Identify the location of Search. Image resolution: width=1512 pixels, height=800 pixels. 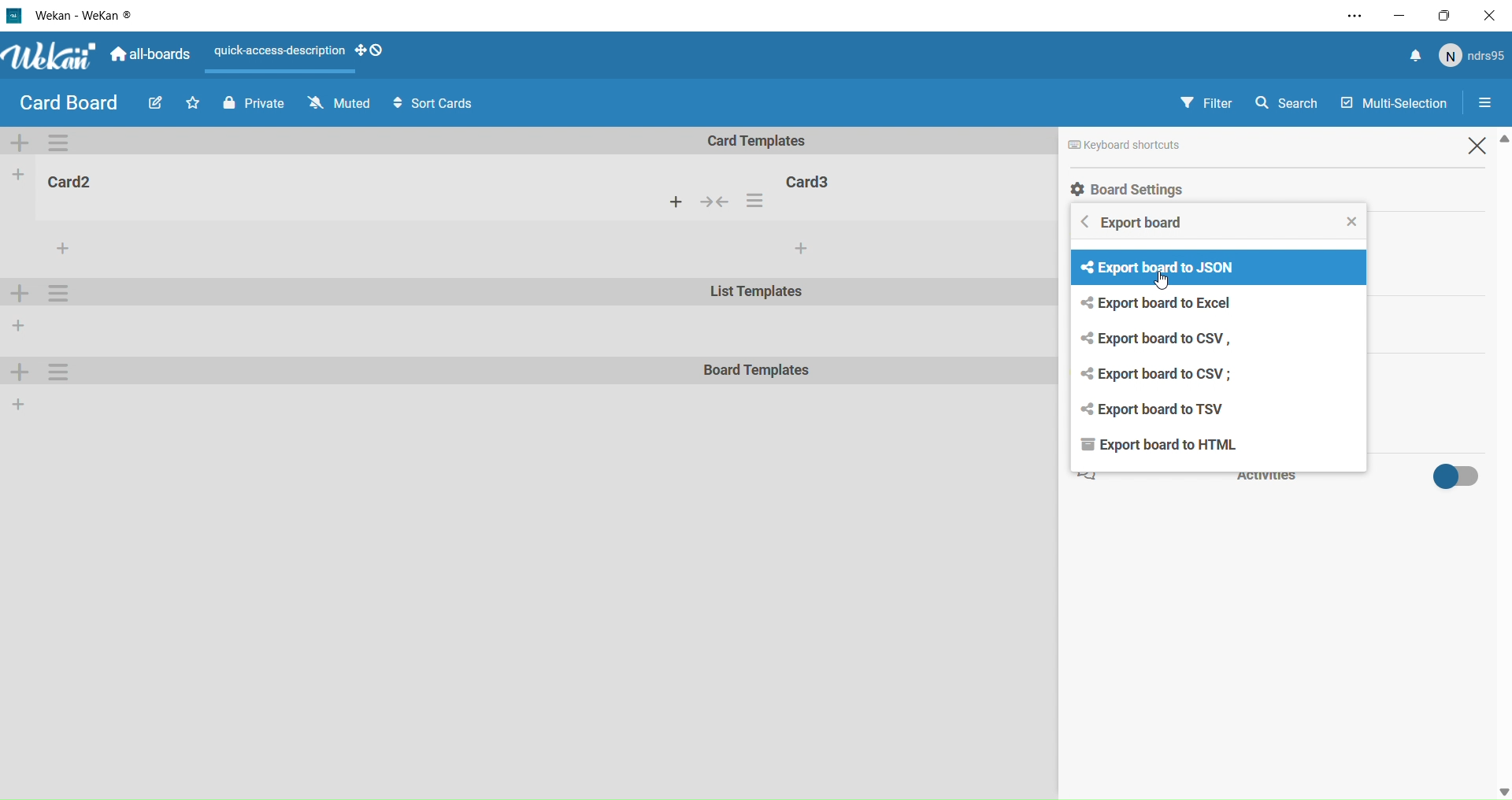
(1292, 101).